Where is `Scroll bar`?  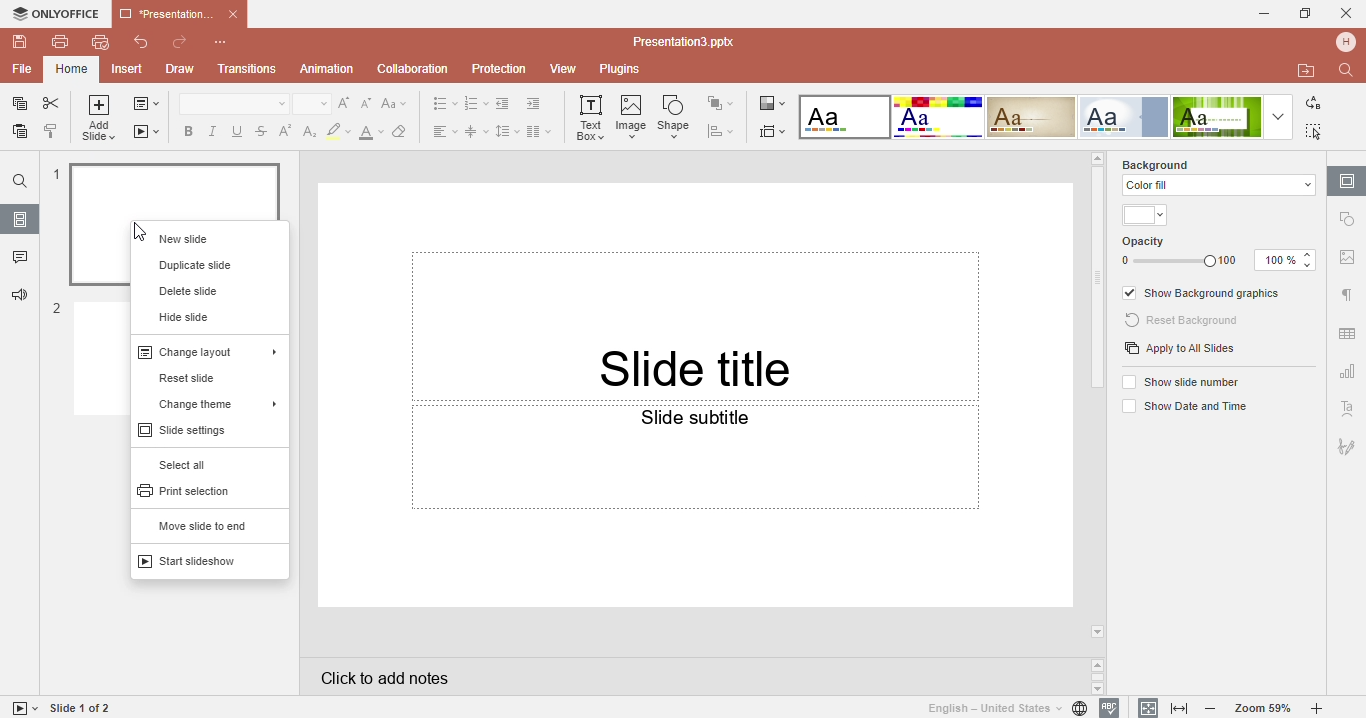 Scroll bar is located at coordinates (1099, 281).